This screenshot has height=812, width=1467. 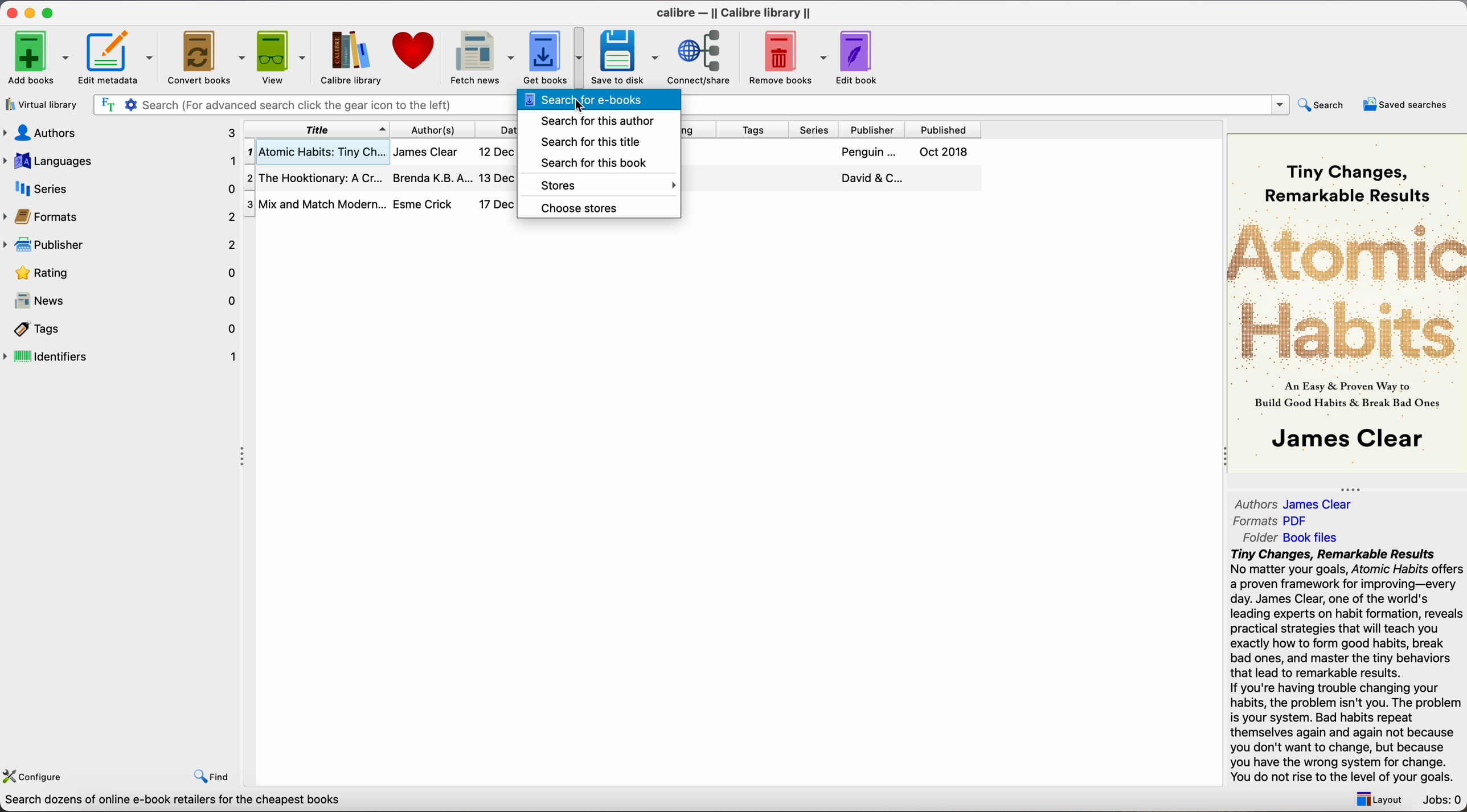 What do you see at coordinates (859, 58) in the screenshot?
I see `edit book` at bounding box center [859, 58].